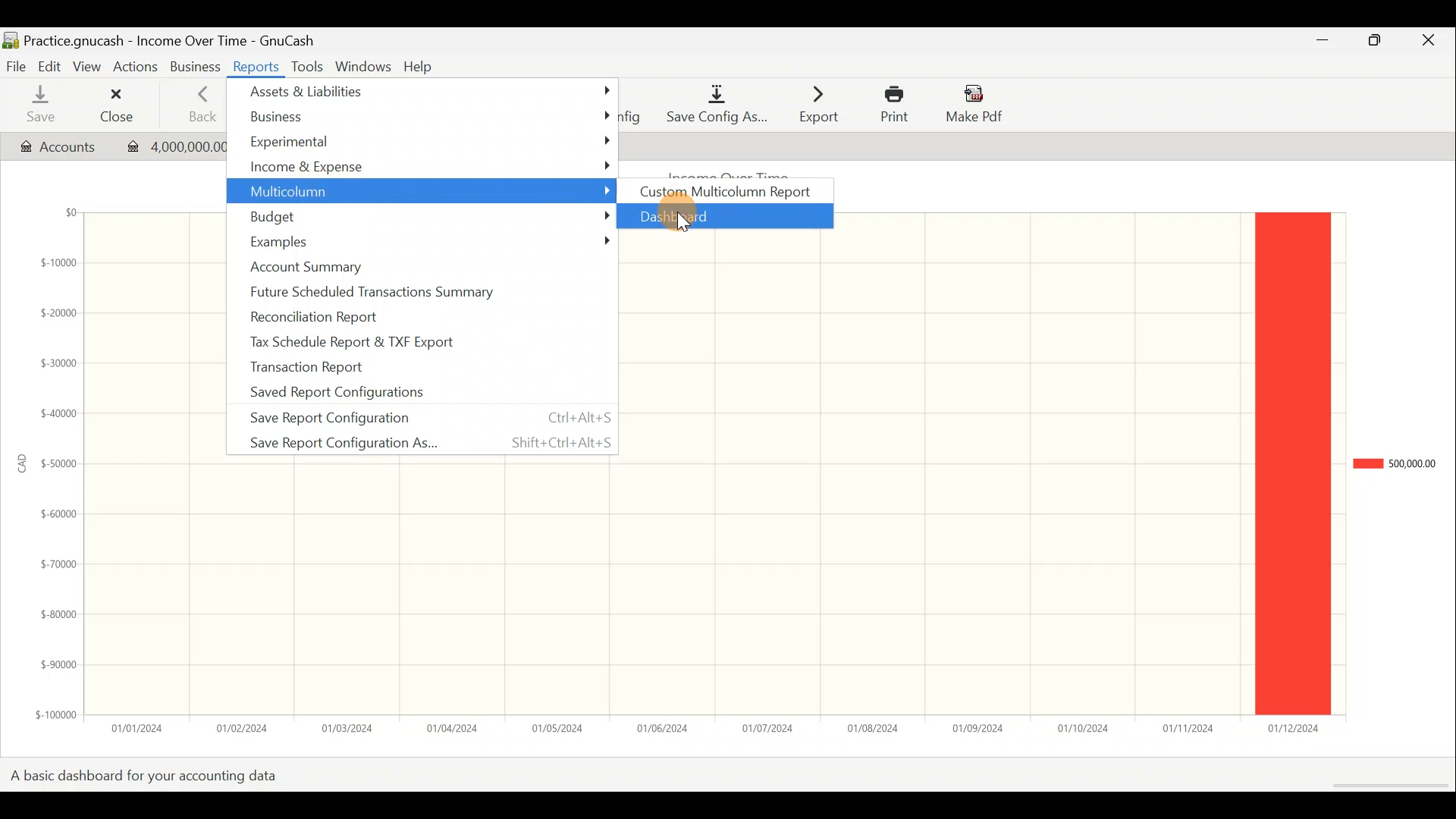  I want to click on Save, so click(40, 106).